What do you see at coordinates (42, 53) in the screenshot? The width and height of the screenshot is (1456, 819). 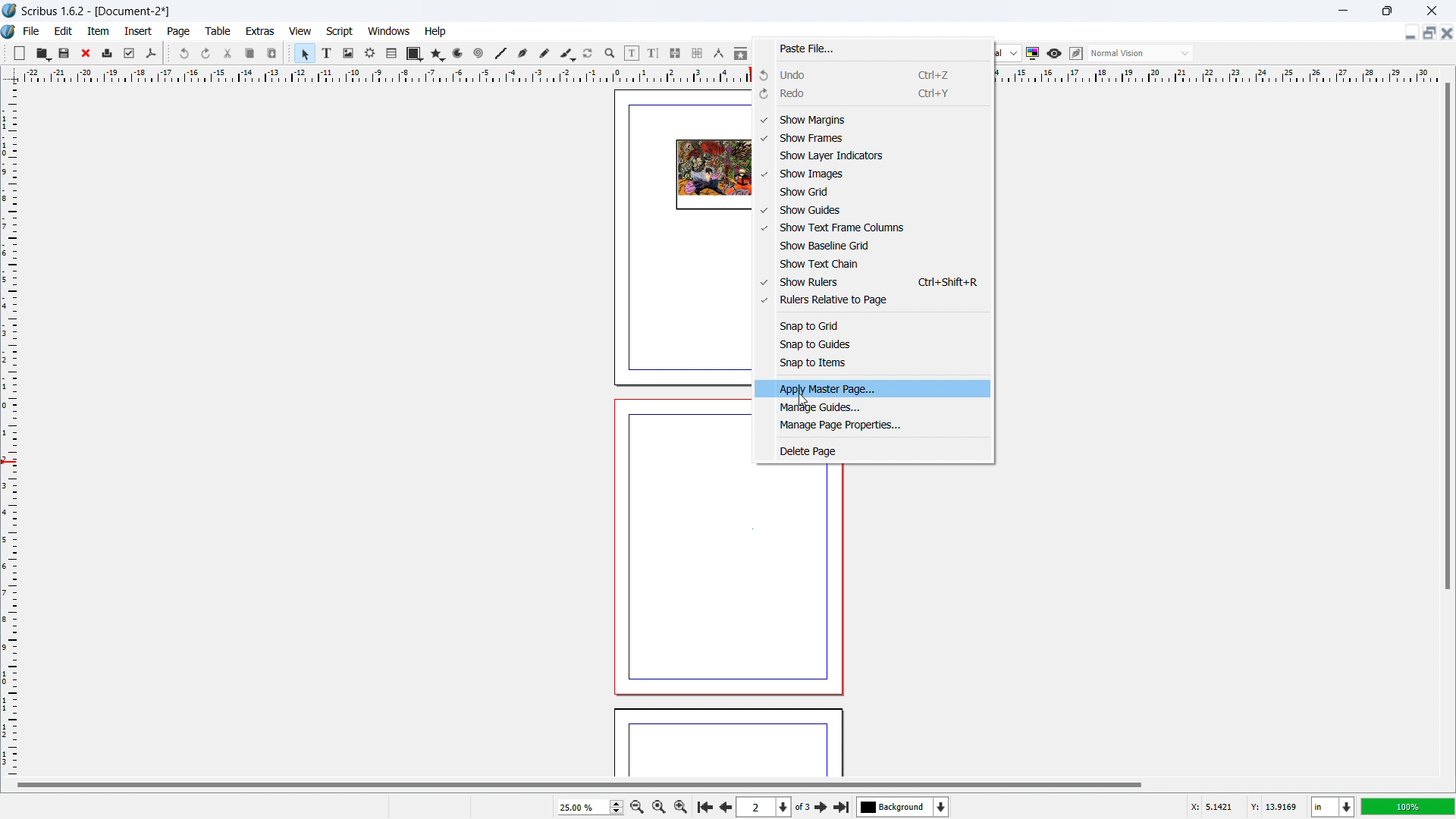 I see `open` at bounding box center [42, 53].